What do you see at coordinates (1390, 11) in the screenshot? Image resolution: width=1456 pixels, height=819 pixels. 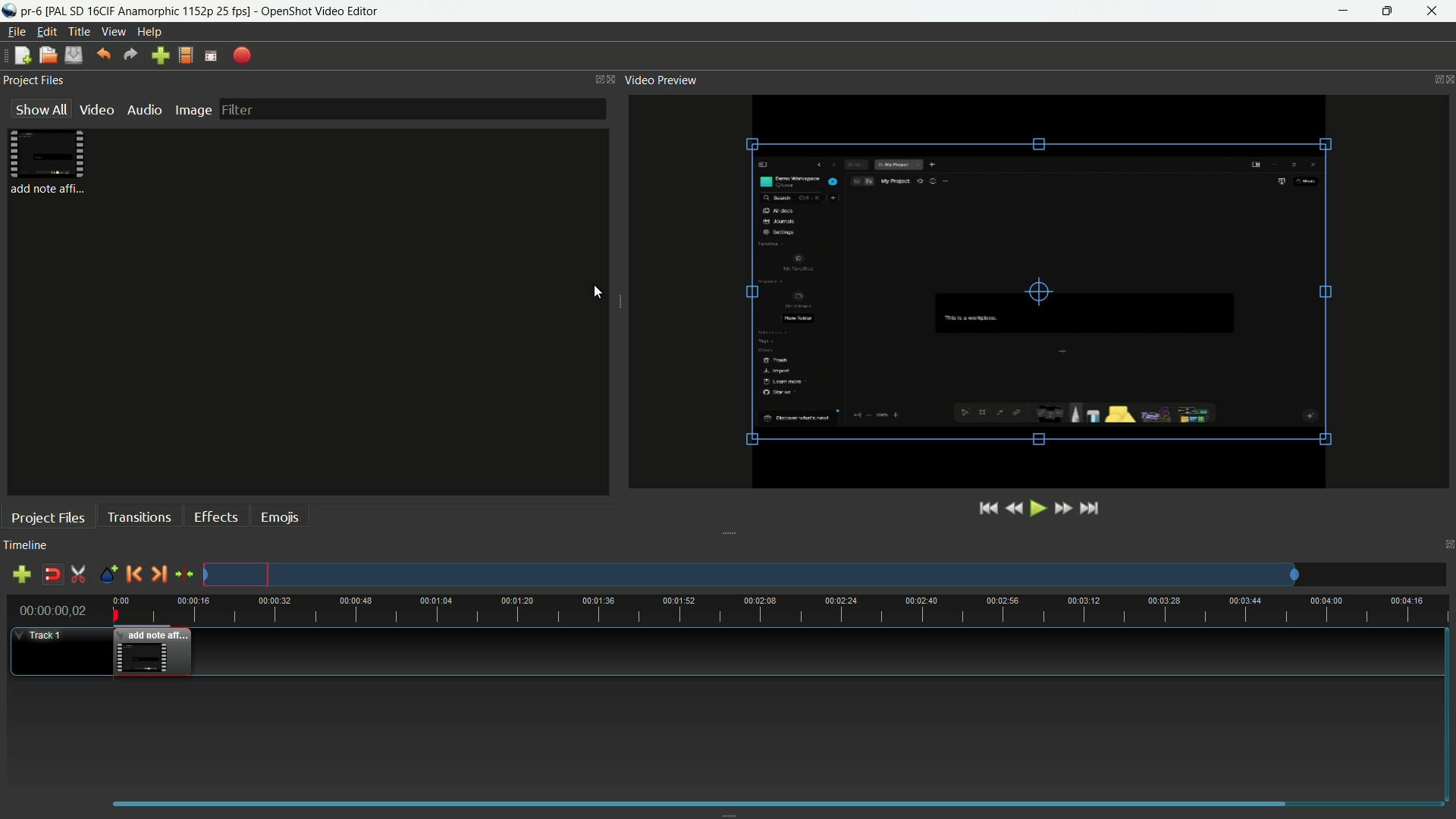 I see `maximize` at bounding box center [1390, 11].